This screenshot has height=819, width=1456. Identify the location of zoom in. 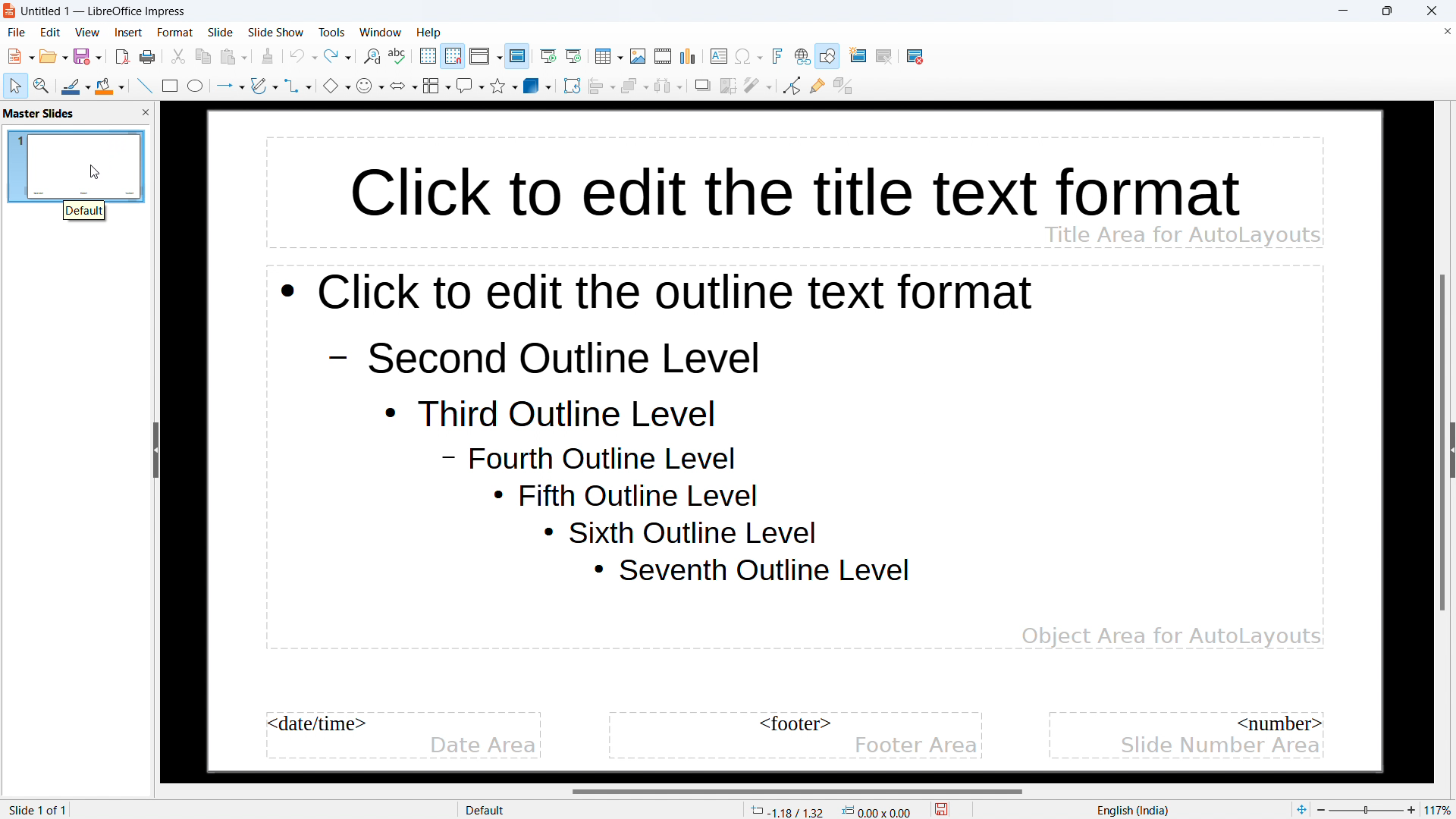
(1411, 808).